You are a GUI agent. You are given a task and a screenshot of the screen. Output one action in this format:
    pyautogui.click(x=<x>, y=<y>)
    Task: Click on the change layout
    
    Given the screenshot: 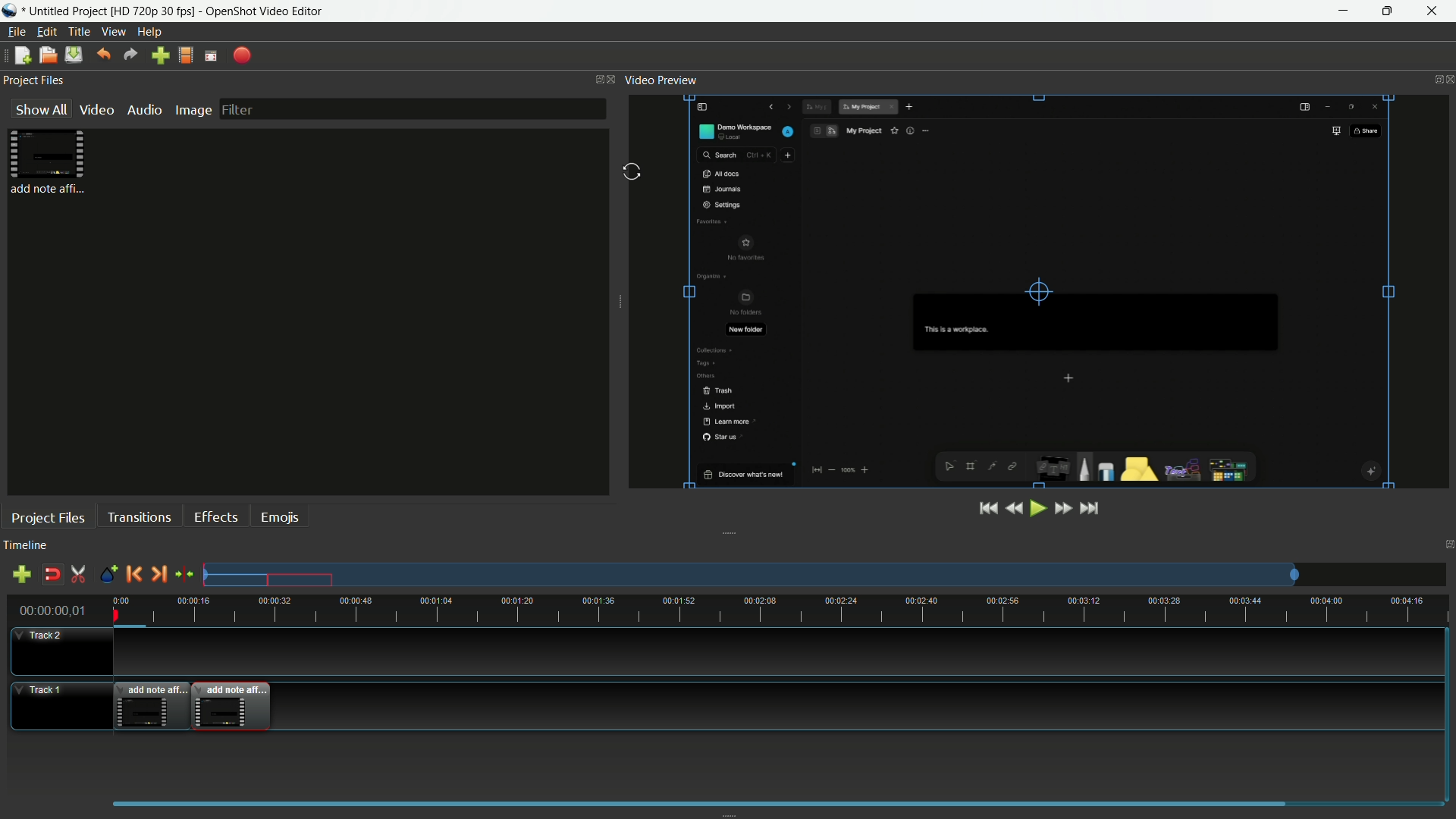 What is the action you would take?
    pyautogui.click(x=593, y=80)
    